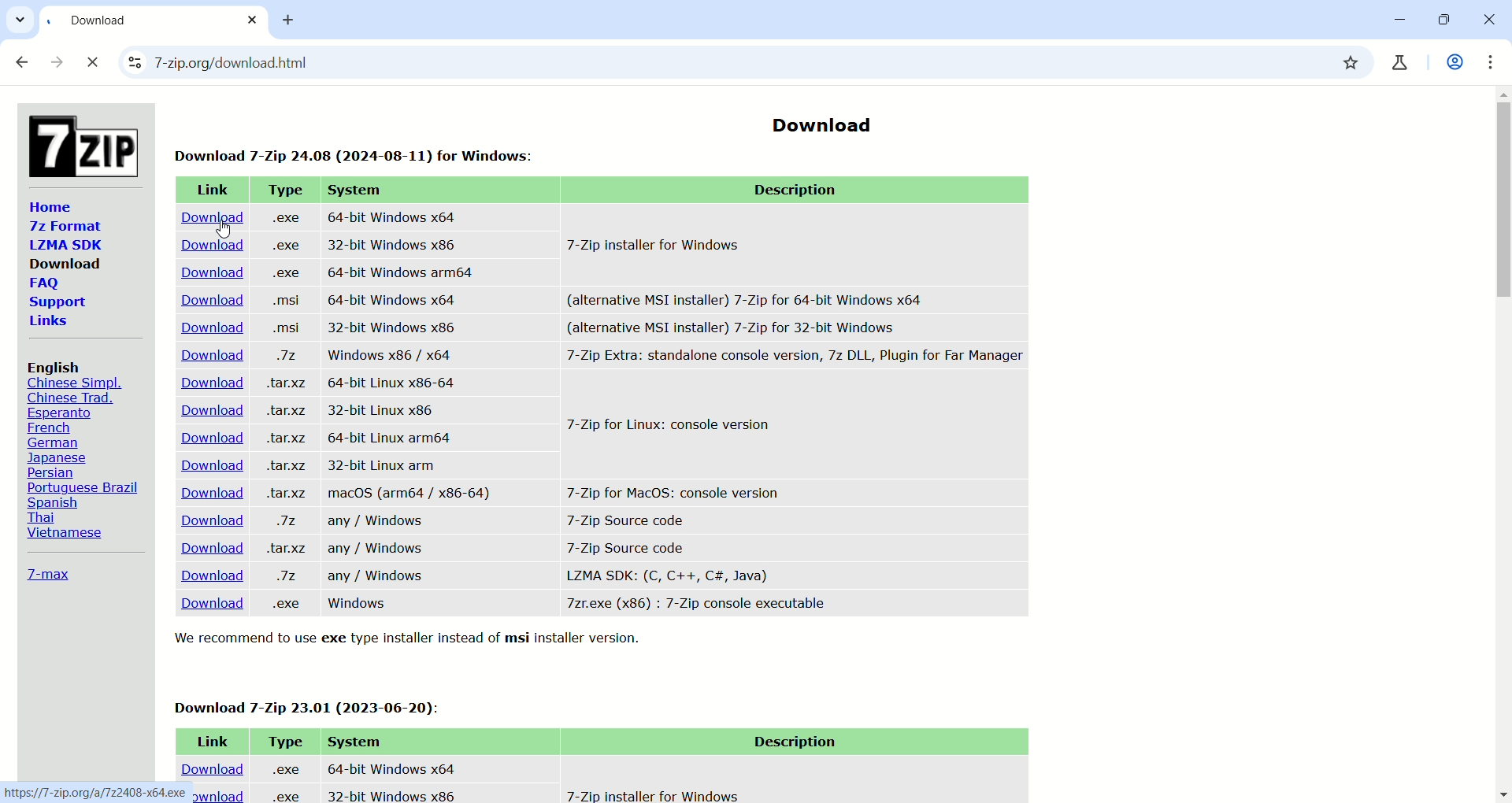 Image resolution: width=1512 pixels, height=803 pixels. What do you see at coordinates (389, 794) in the screenshot?
I see `32-bit Windows x86` at bounding box center [389, 794].